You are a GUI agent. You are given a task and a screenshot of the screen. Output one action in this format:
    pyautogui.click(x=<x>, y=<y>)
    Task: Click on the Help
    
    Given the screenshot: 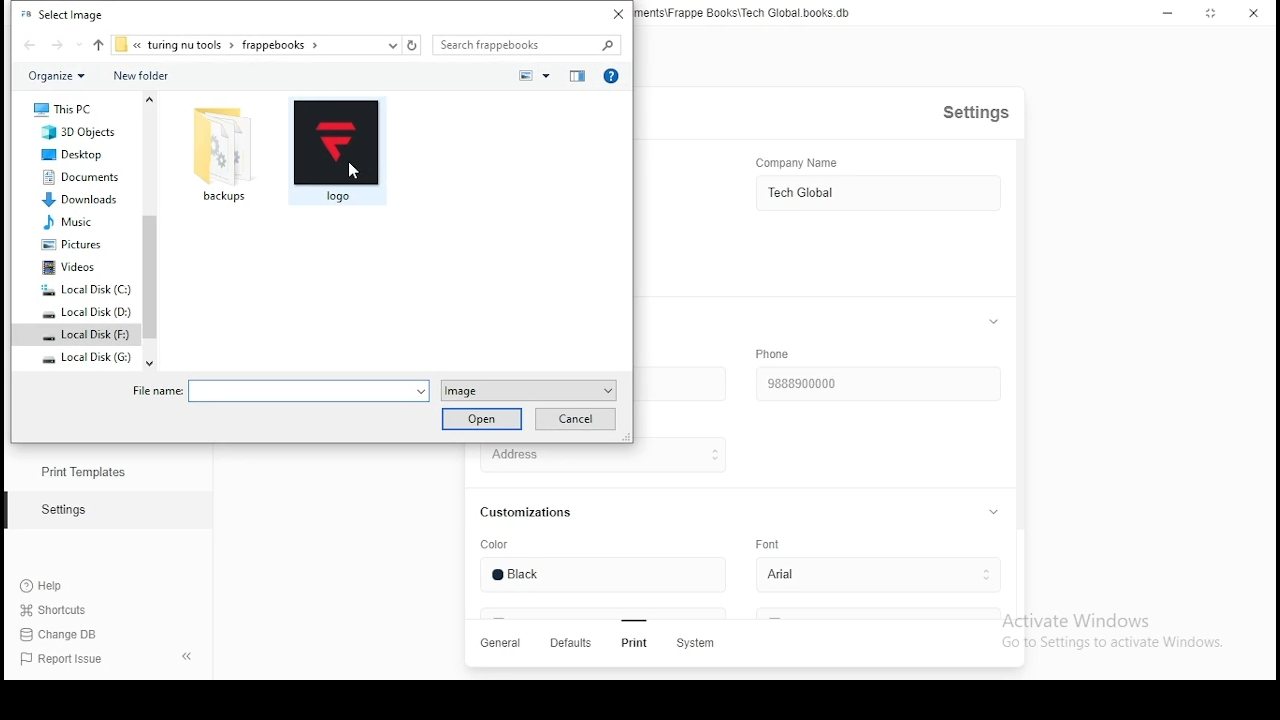 What is the action you would take?
    pyautogui.click(x=56, y=588)
    